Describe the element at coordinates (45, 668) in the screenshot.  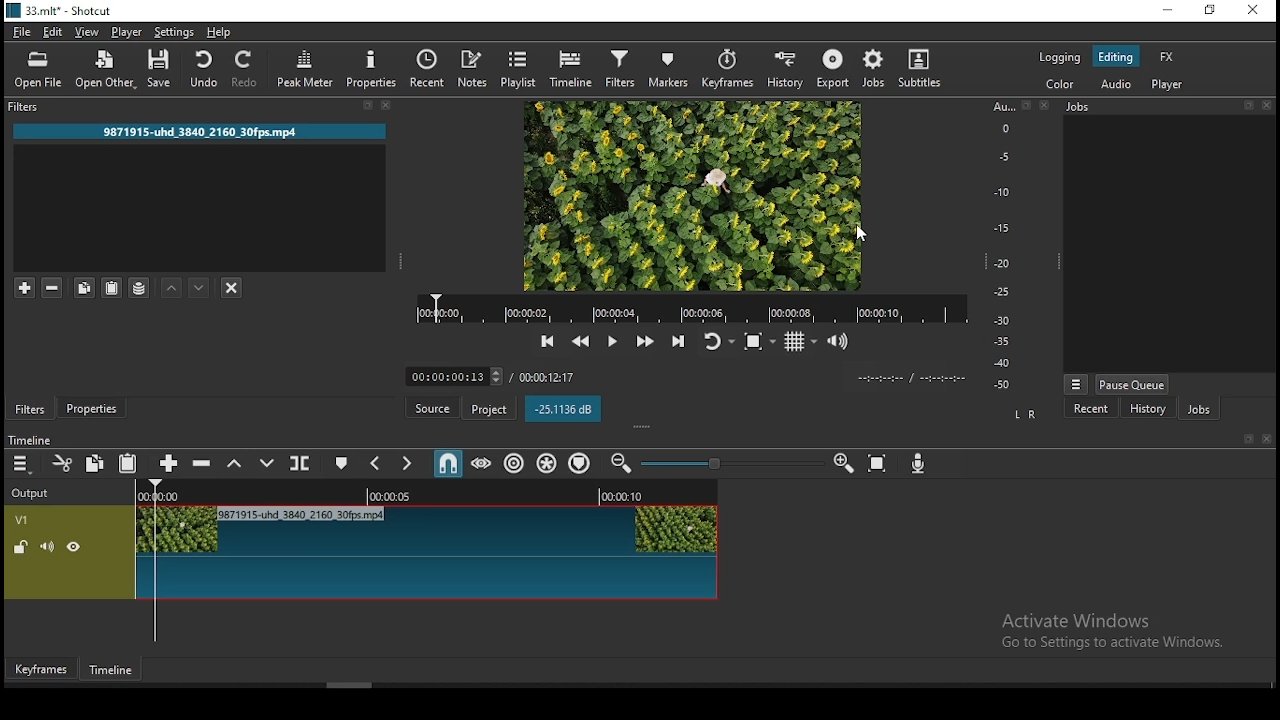
I see `keyframes` at that location.